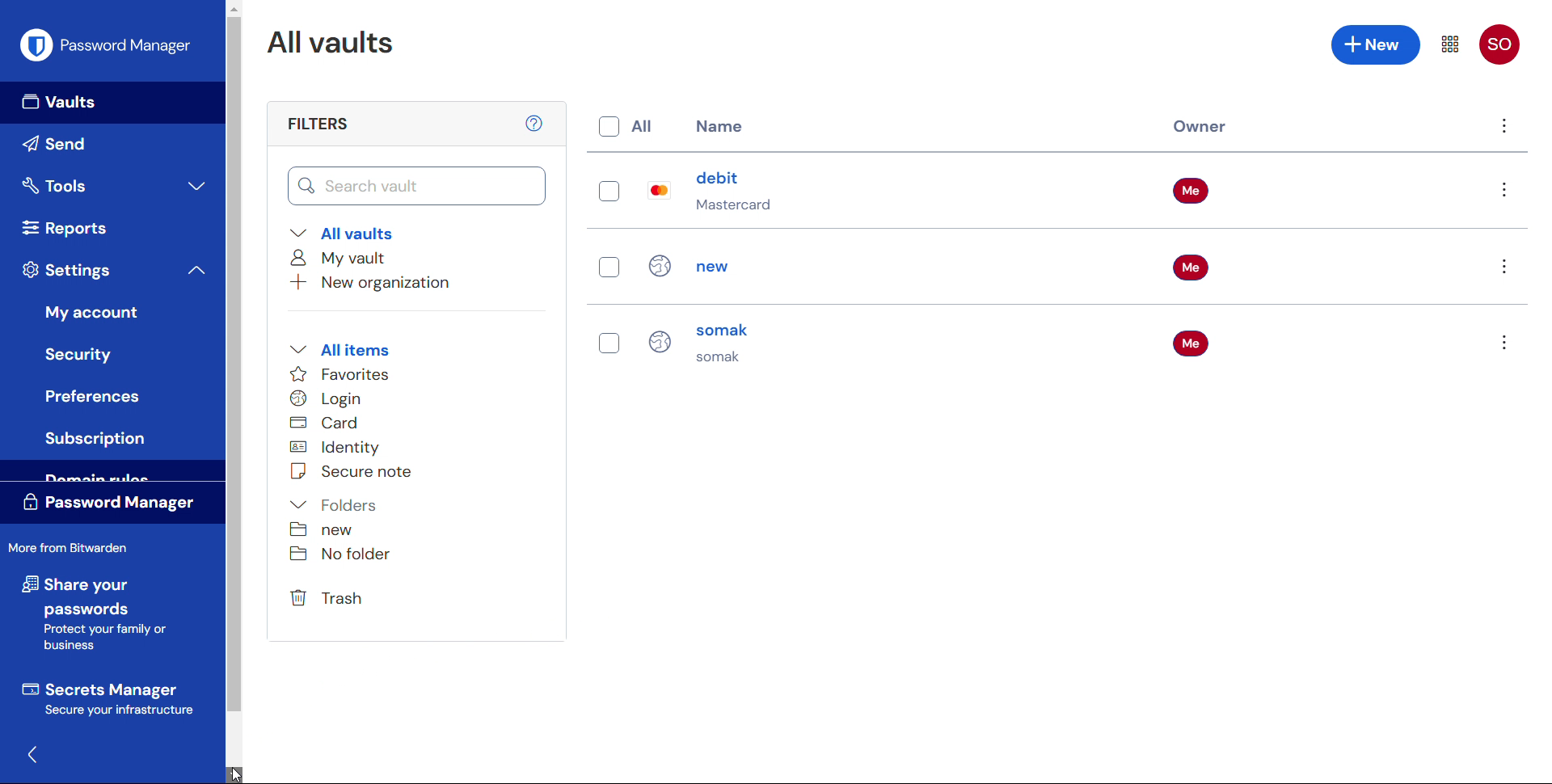 The height and width of the screenshot is (784, 1552). What do you see at coordinates (106, 701) in the screenshot?
I see `Secrets manager Secure your infrastructure` at bounding box center [106, 701].